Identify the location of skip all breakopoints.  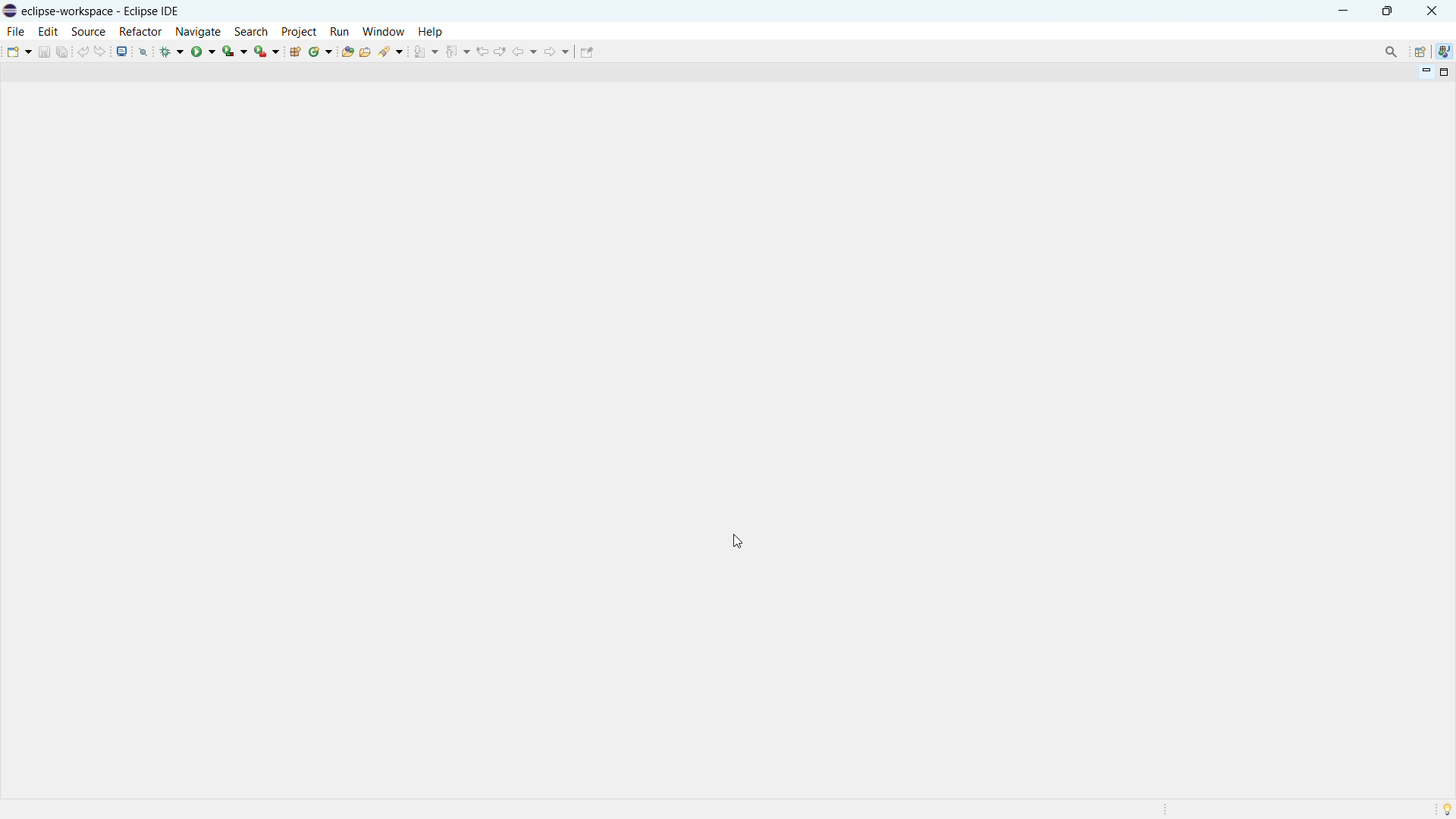
(143, 51).